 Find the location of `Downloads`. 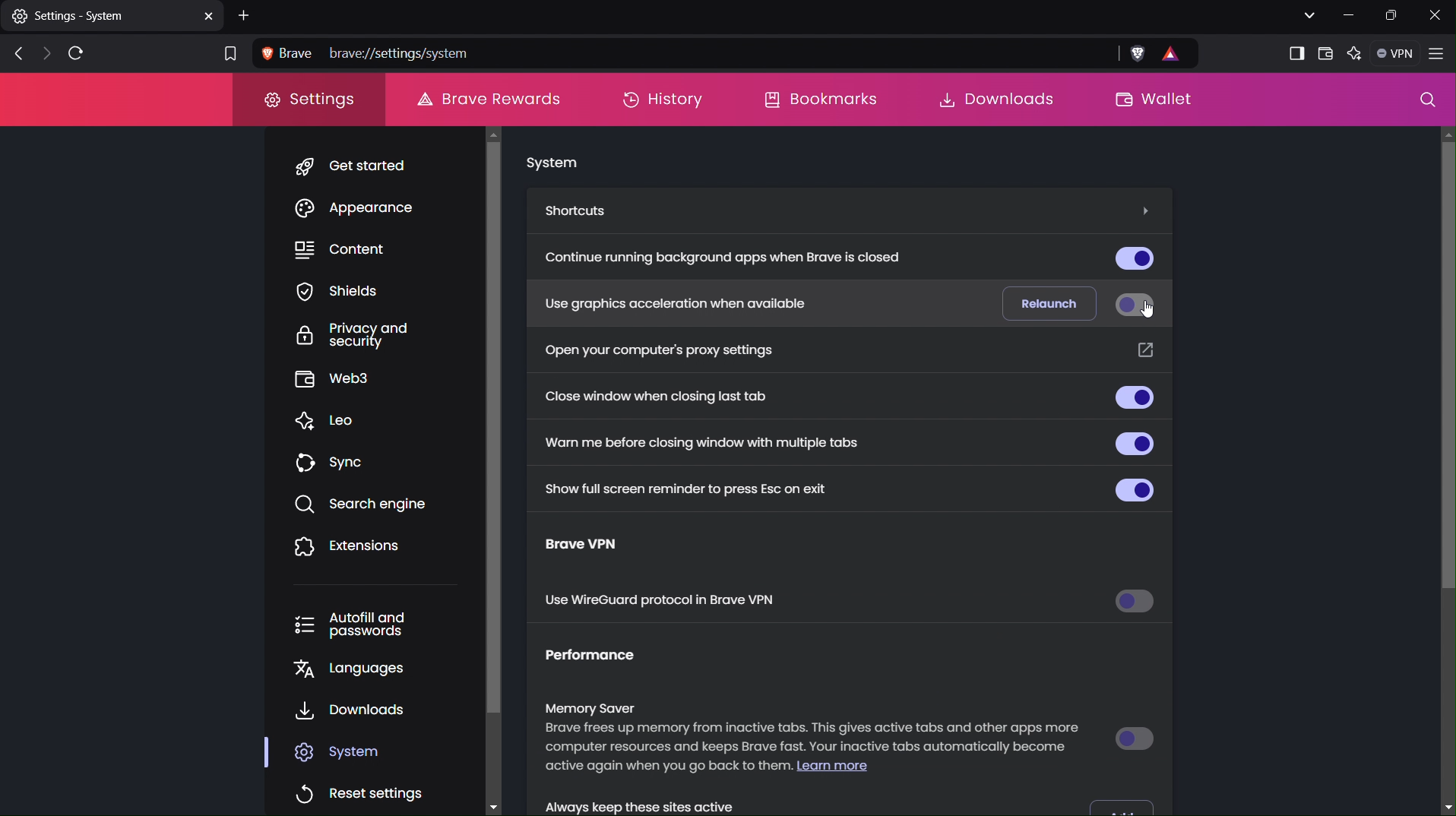

Downloads is located at coordinates (353, 712).